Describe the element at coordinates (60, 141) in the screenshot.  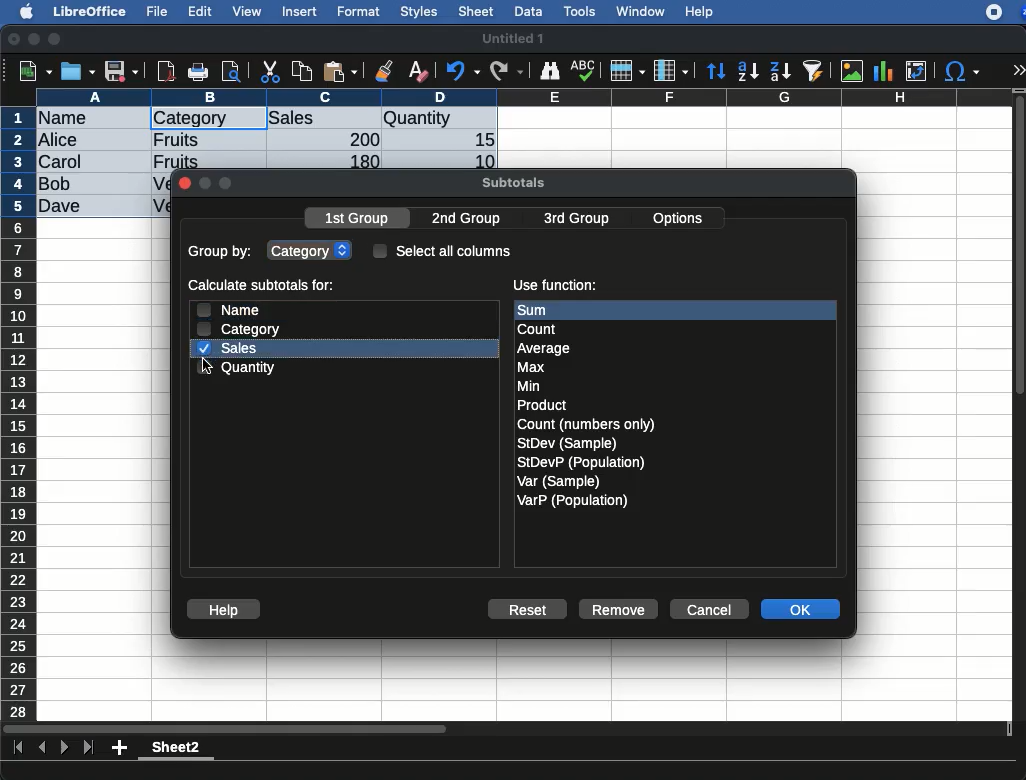
I see `Alice` at that location.